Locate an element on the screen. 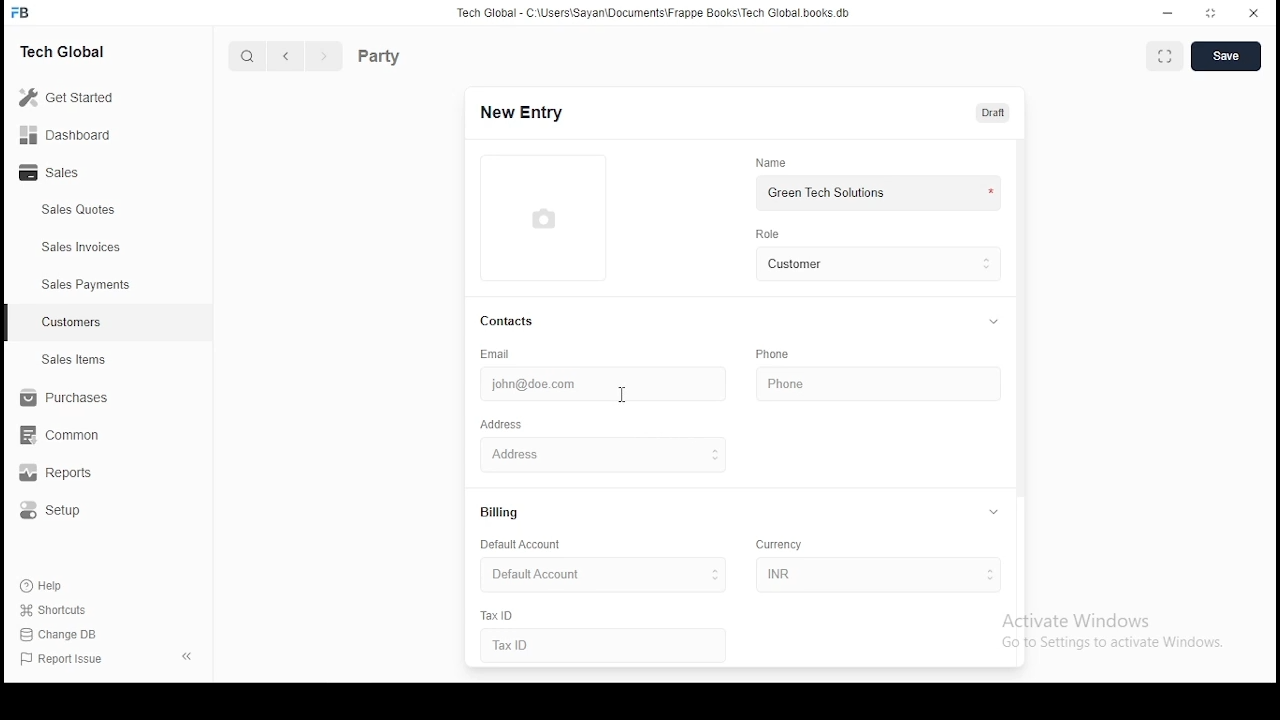 This screenshot has width=1280, height=720. toggle between form and fullscreen is located at coordinates (1168, 53).